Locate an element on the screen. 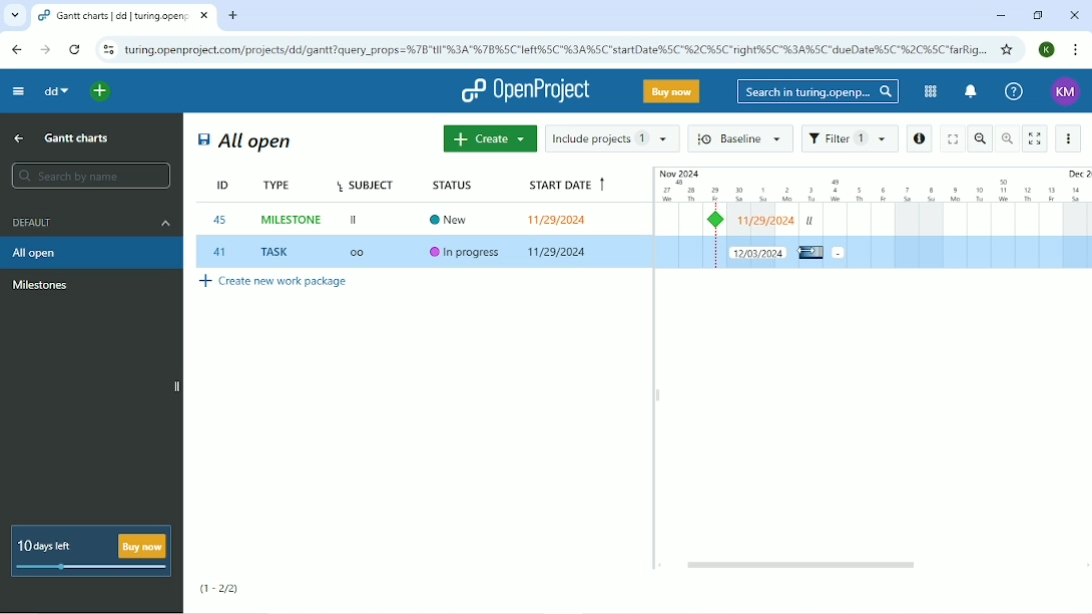  Up is located at coordinates (18, 140).